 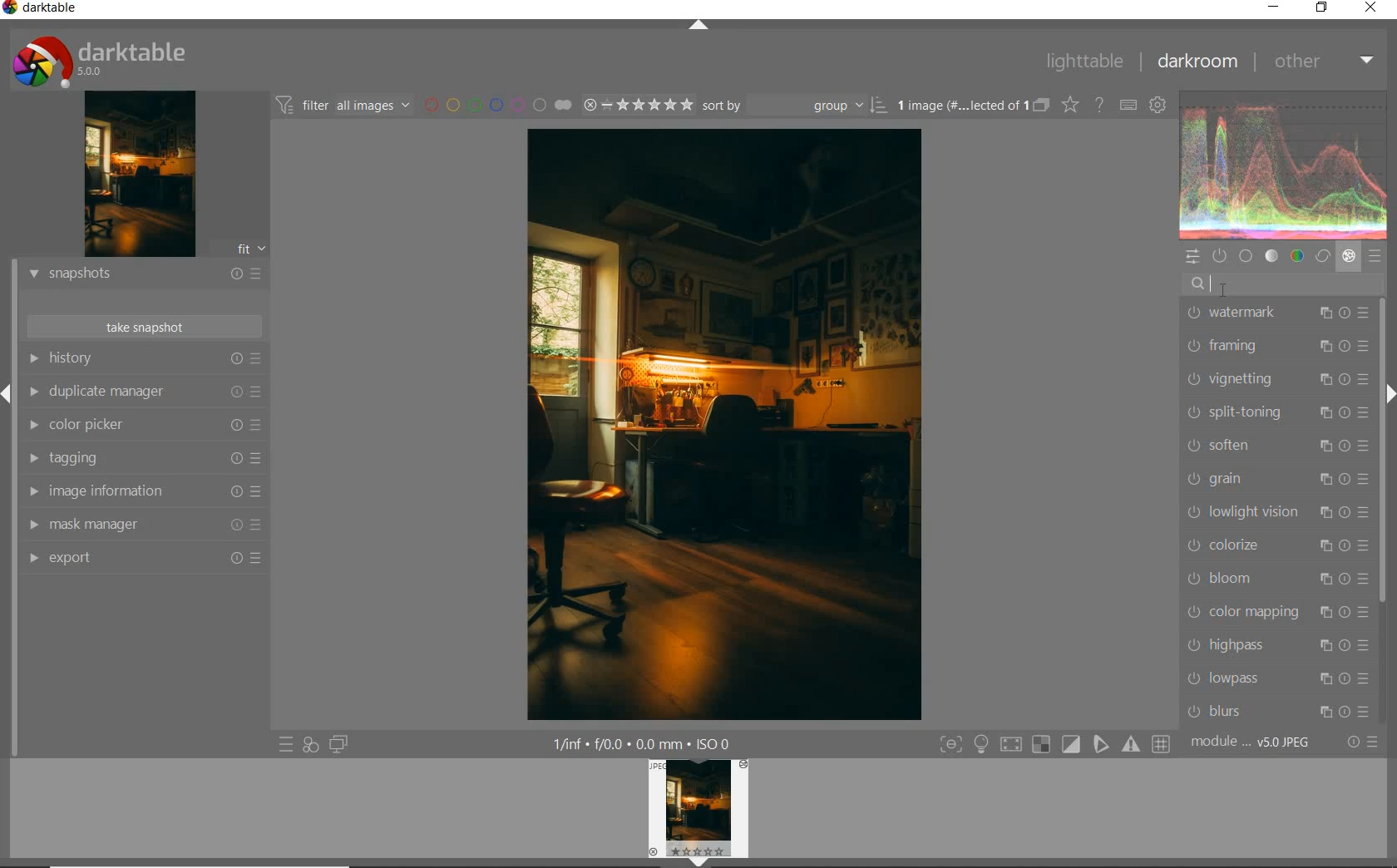 What do you see at coordinates (142, 274) in the screenshot?
I see `snapshots` at bounding box center [142, 274].